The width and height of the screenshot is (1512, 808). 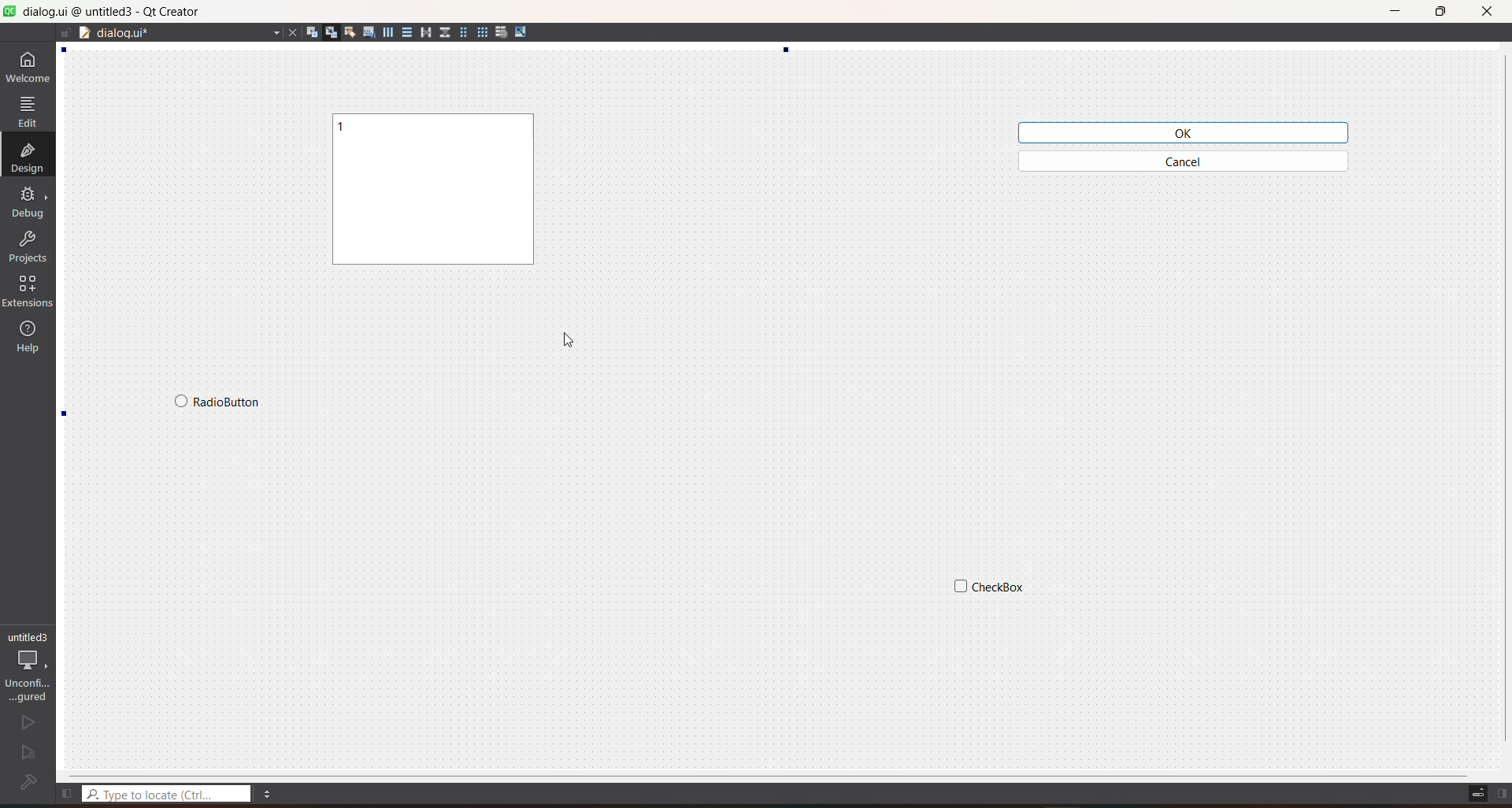 I want to click on widget, so click(x=1184, y=150).